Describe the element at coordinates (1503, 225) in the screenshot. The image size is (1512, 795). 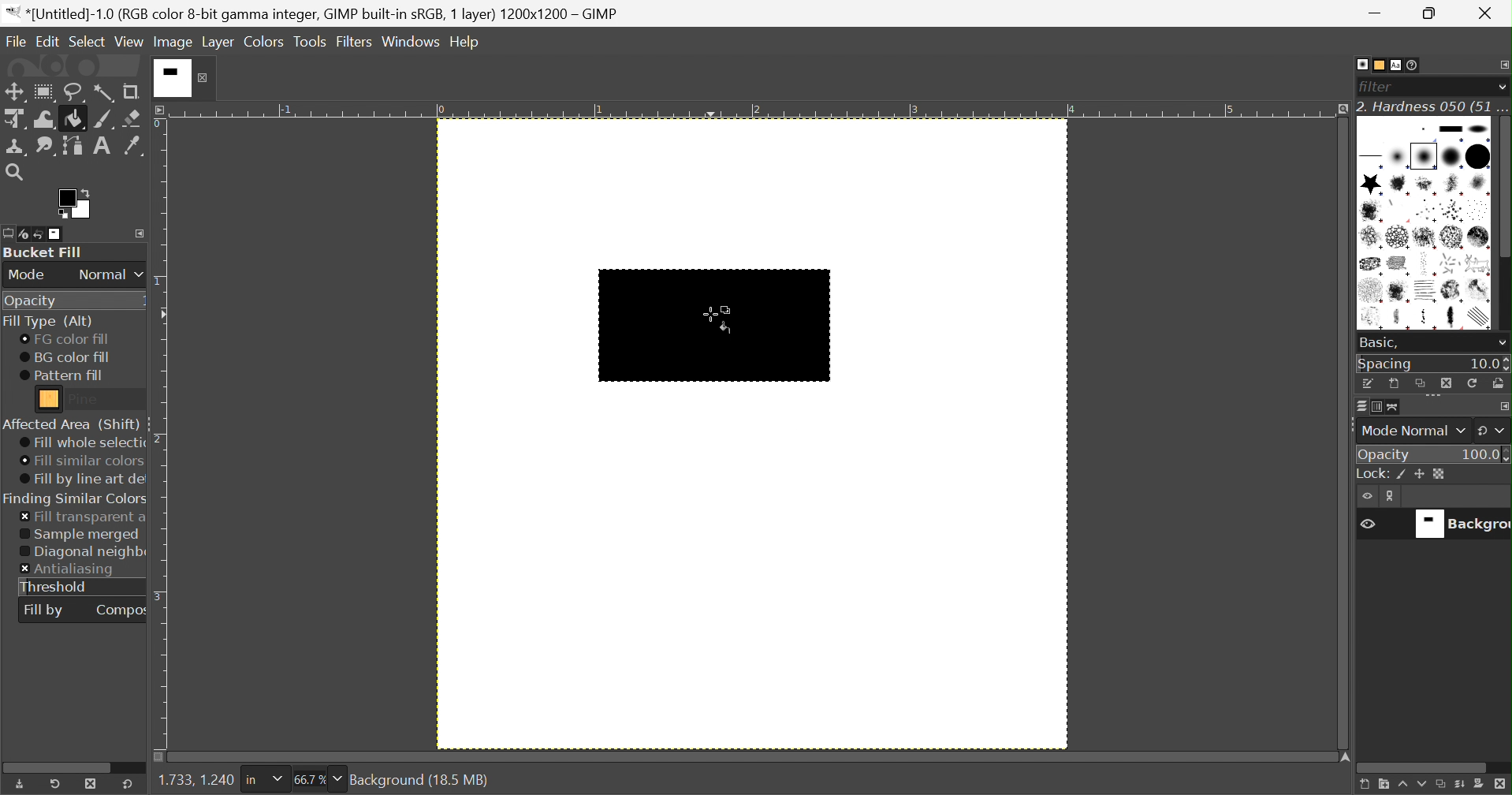
I see `vertical scroll bar` at that location.